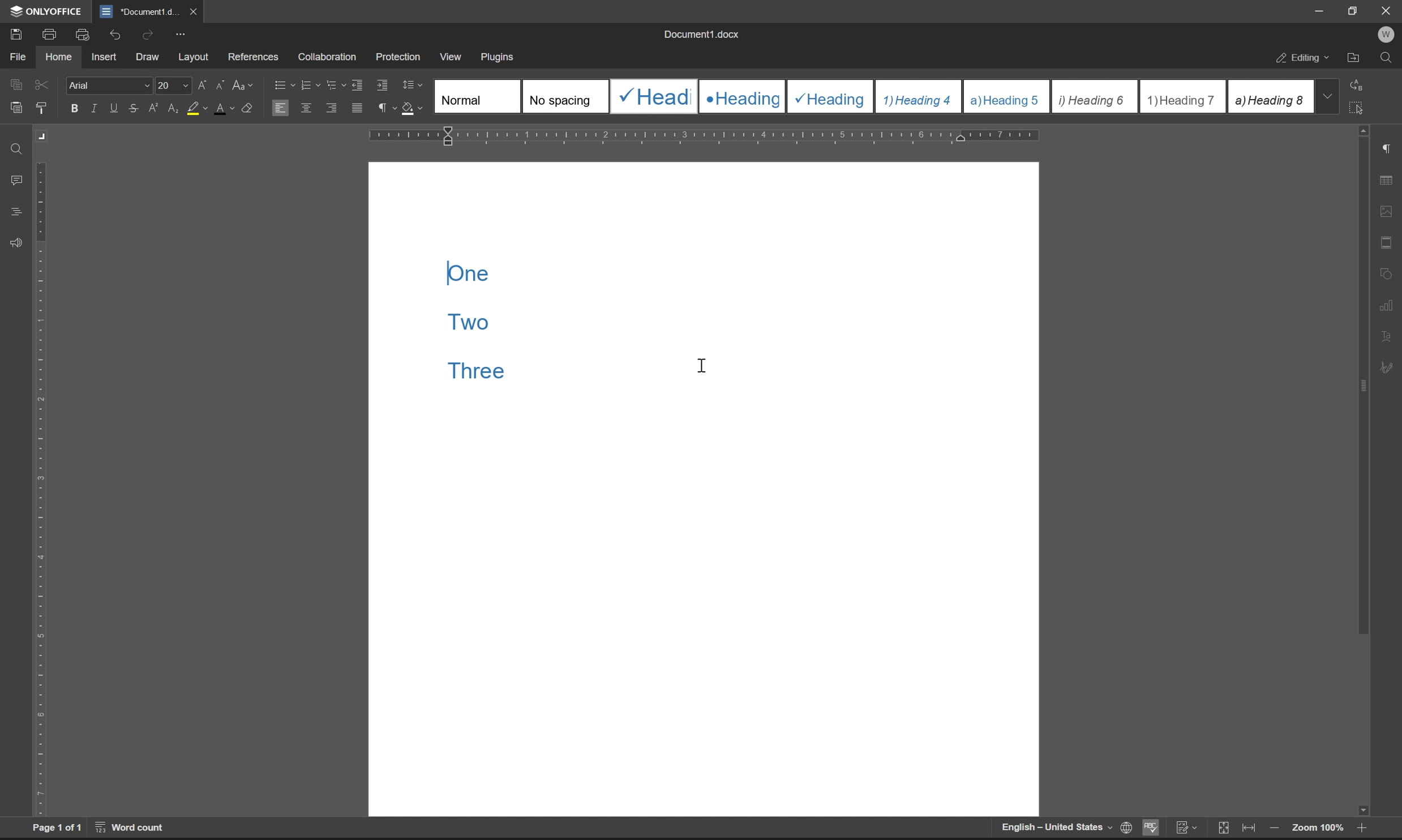 Image resolution: width=1402 pixels, height=840 pixels. Describe the element at coordinates (171, 84) in the screenshot. I see `font size` at that location.